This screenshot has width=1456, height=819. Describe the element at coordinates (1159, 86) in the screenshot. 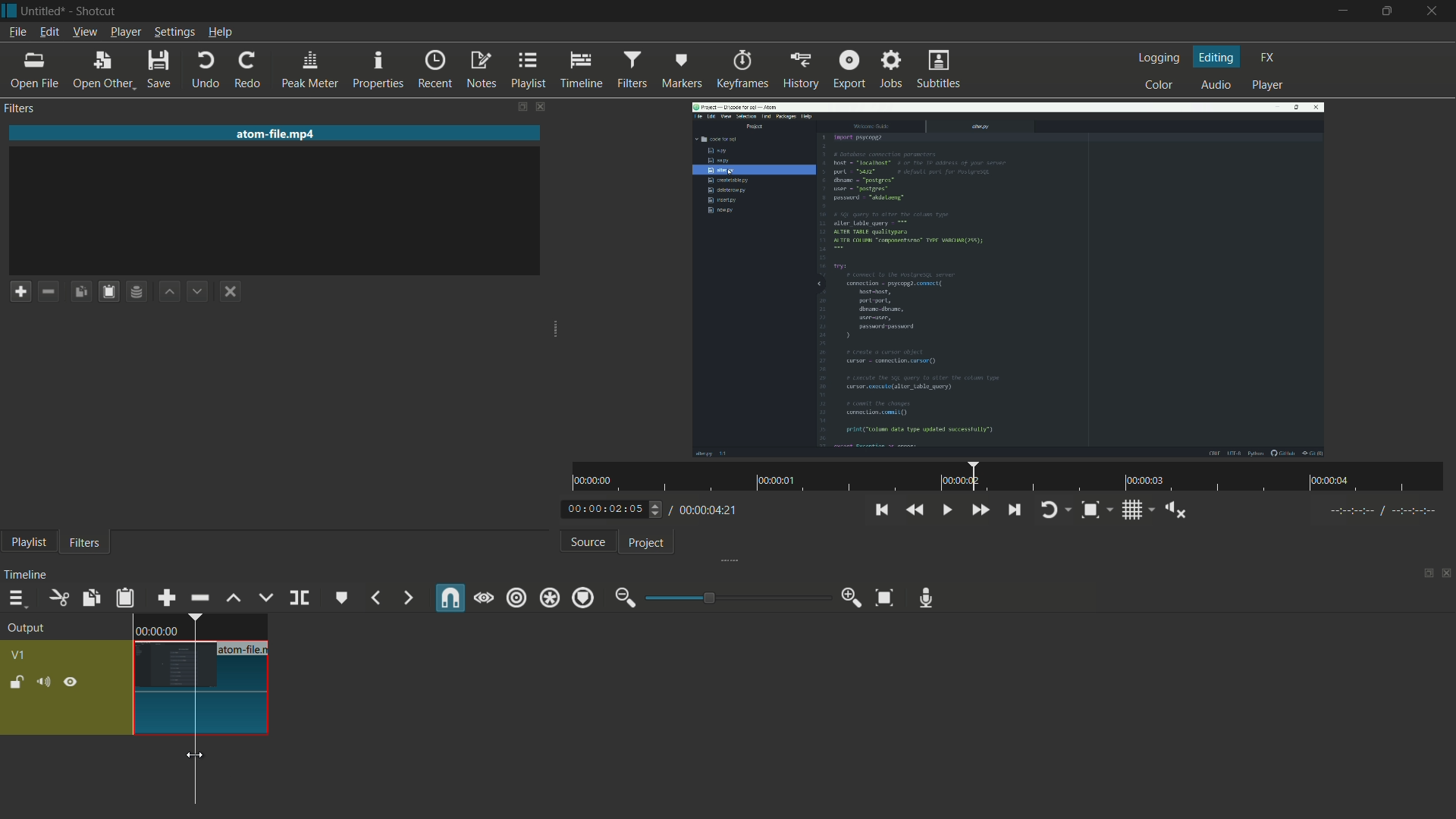

I see `color` at that location.